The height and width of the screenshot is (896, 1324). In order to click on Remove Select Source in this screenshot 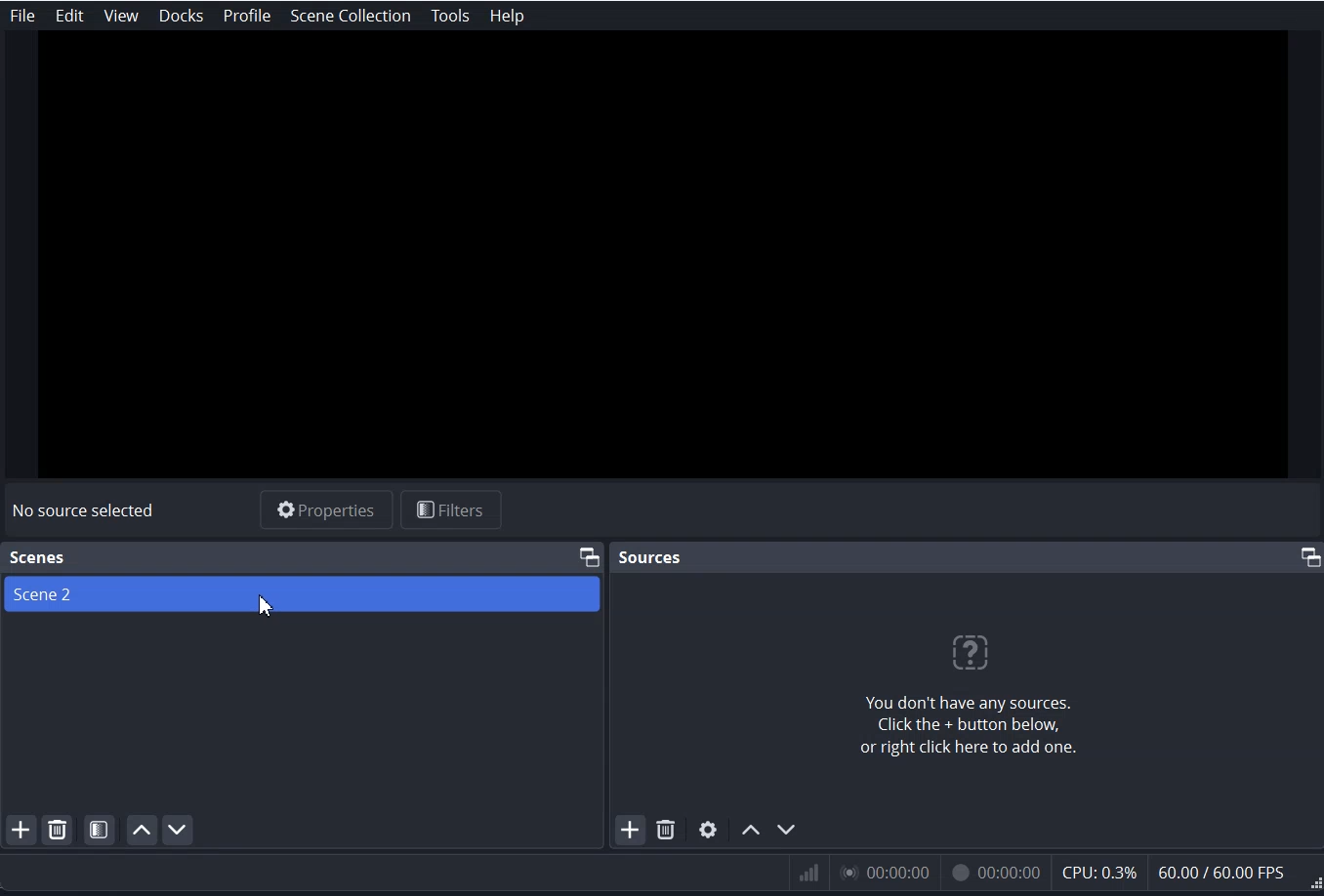, I will do `click(667, 830)`.